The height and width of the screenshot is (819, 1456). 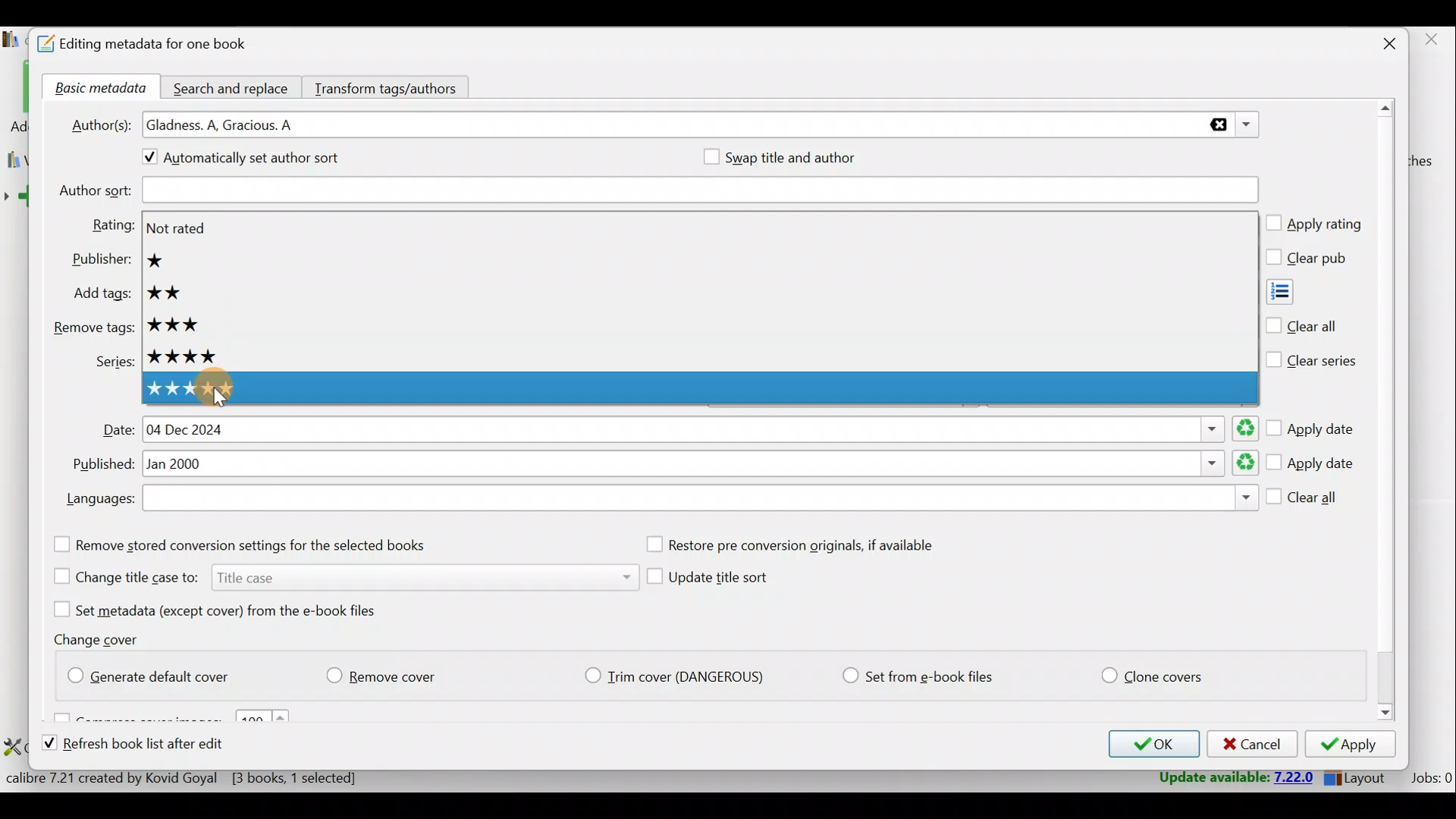 I want to click on Clone covers, so click(x=1149, y=673).